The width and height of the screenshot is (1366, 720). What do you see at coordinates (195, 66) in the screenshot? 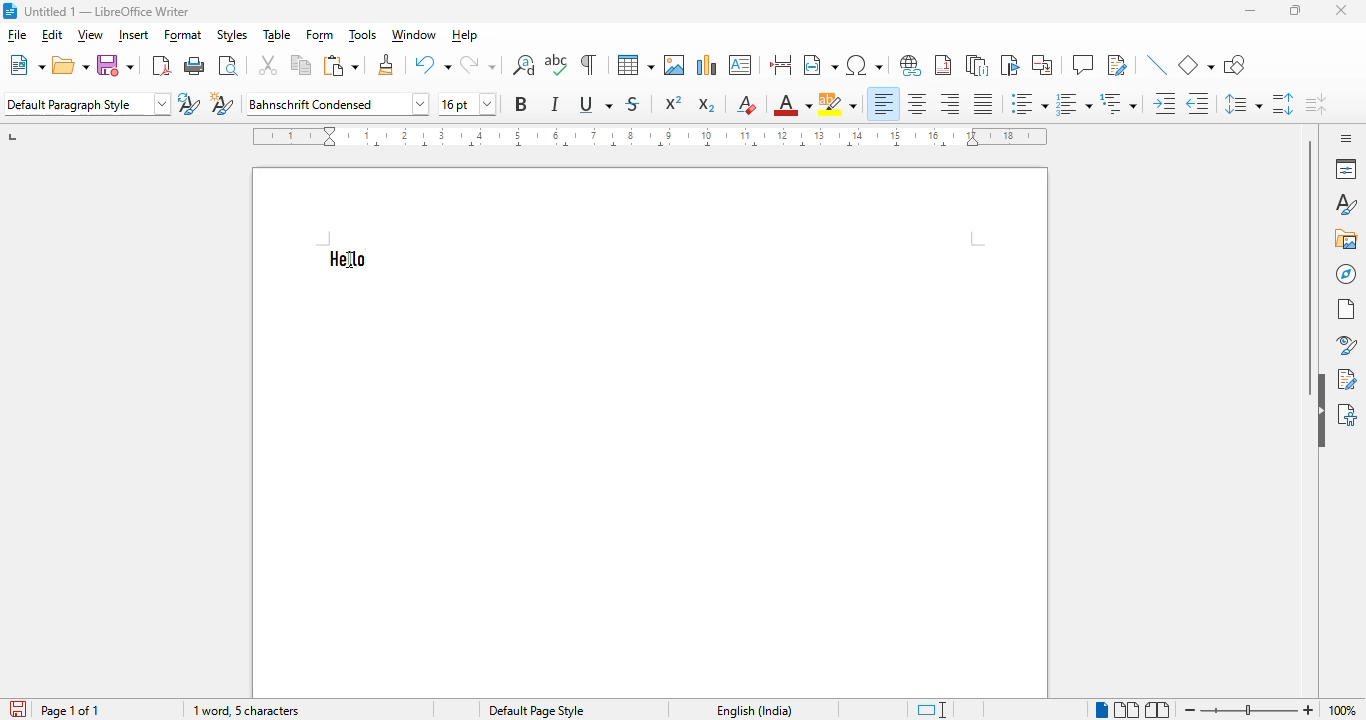
I see `print` at bounding box center [195, 66].